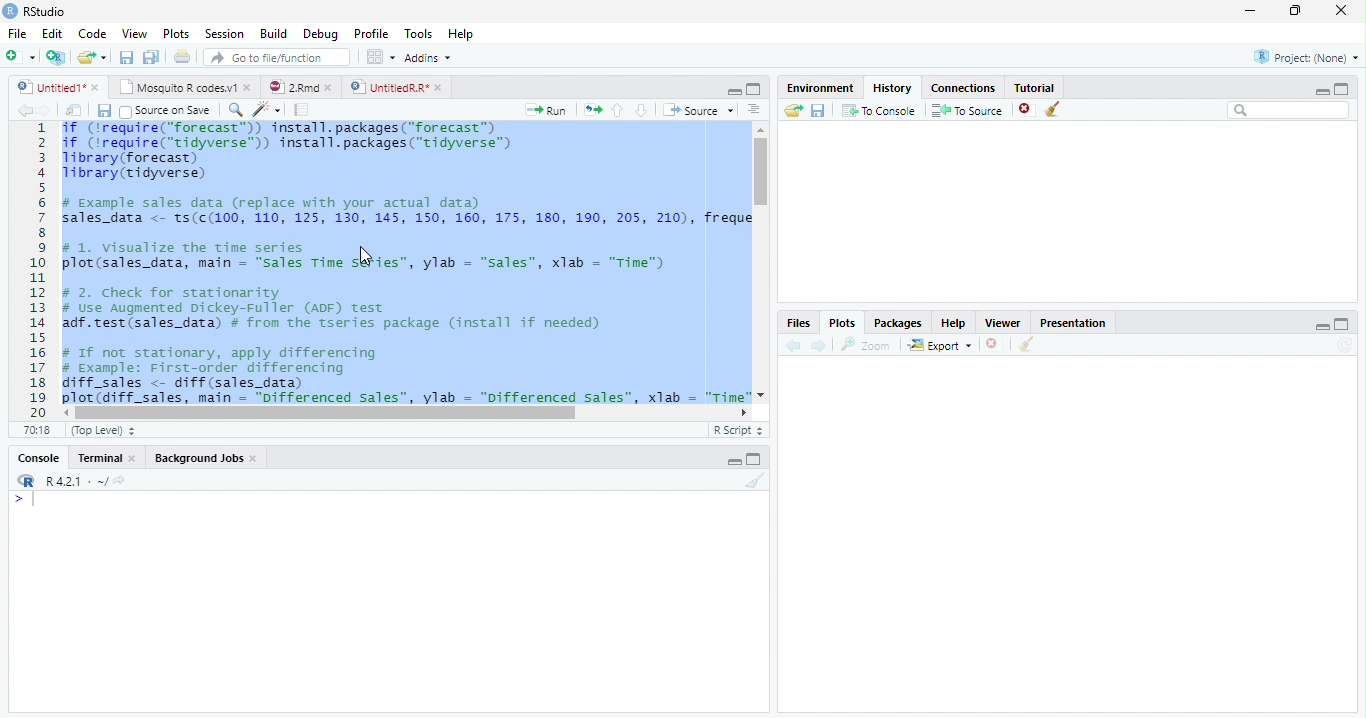  Describe the element at coordinates (405, 414) in the screenshot. I see `Scroll` at that location.